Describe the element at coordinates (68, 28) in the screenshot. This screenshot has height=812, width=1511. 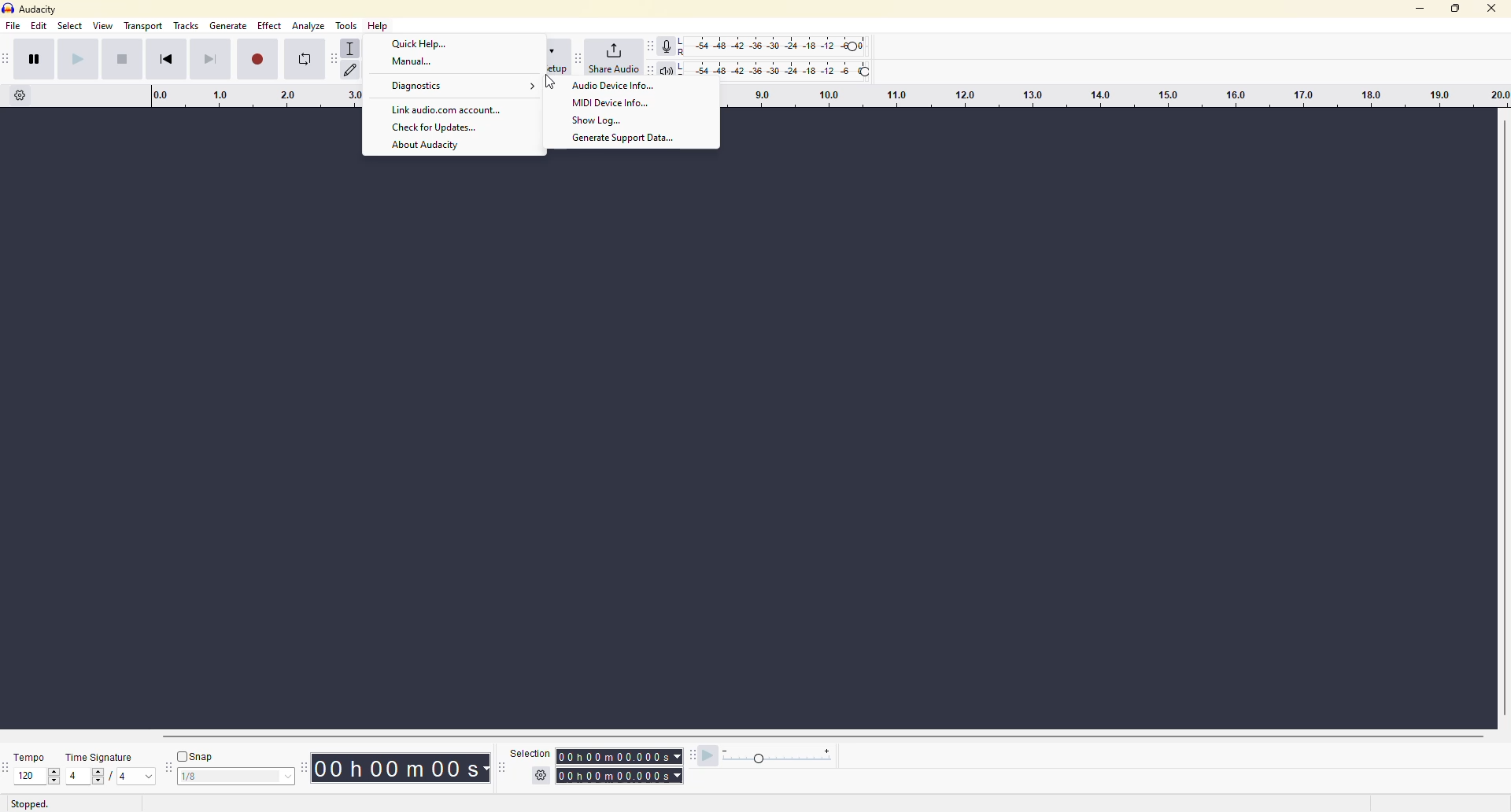
I see `select` at that location.